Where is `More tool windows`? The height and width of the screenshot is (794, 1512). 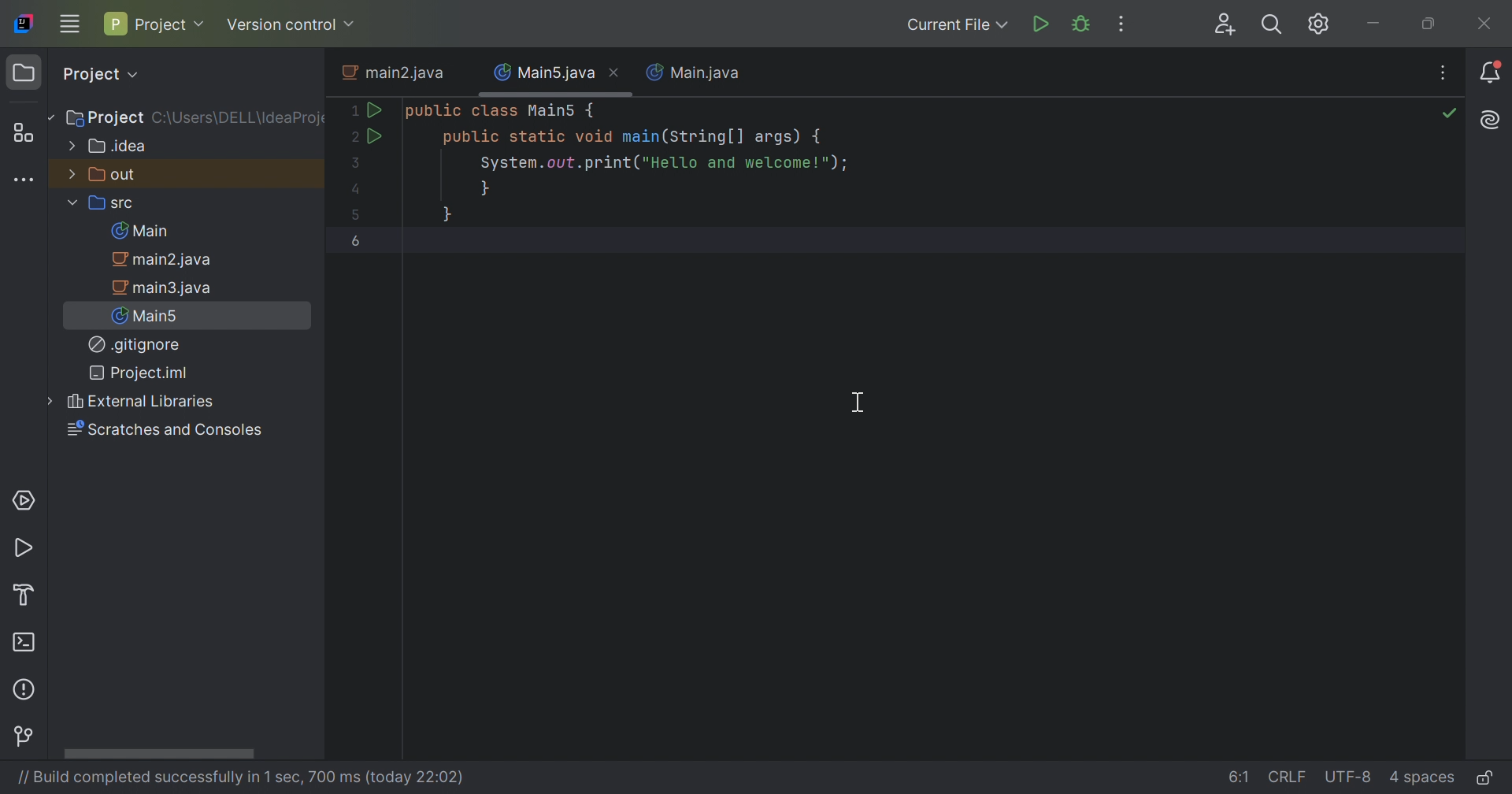
More tool windows is located at coordinates (22, 179).